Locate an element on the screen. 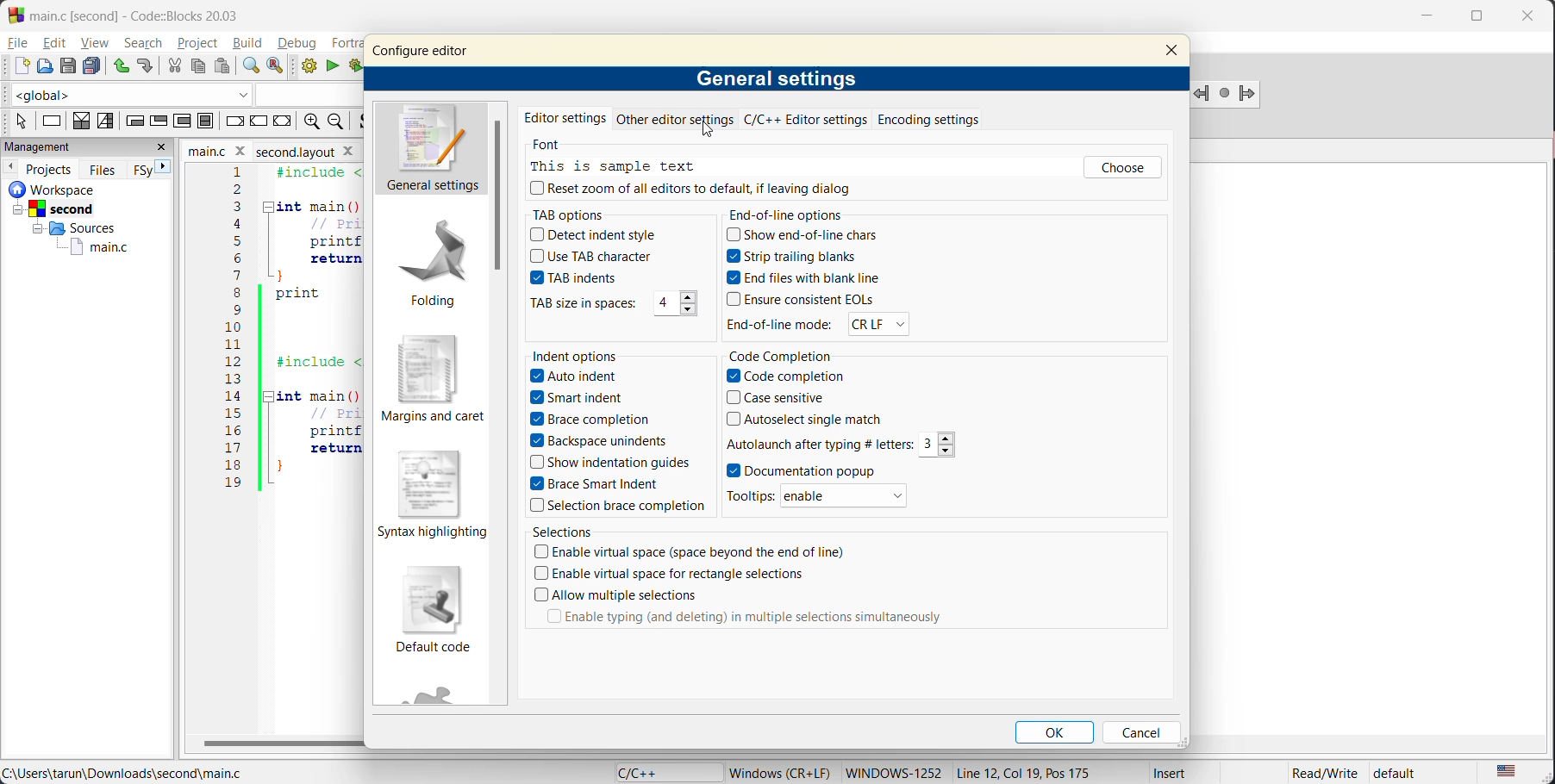 This screenshot has height=784, width=1555. cursor is located at coordinates (709, 132).